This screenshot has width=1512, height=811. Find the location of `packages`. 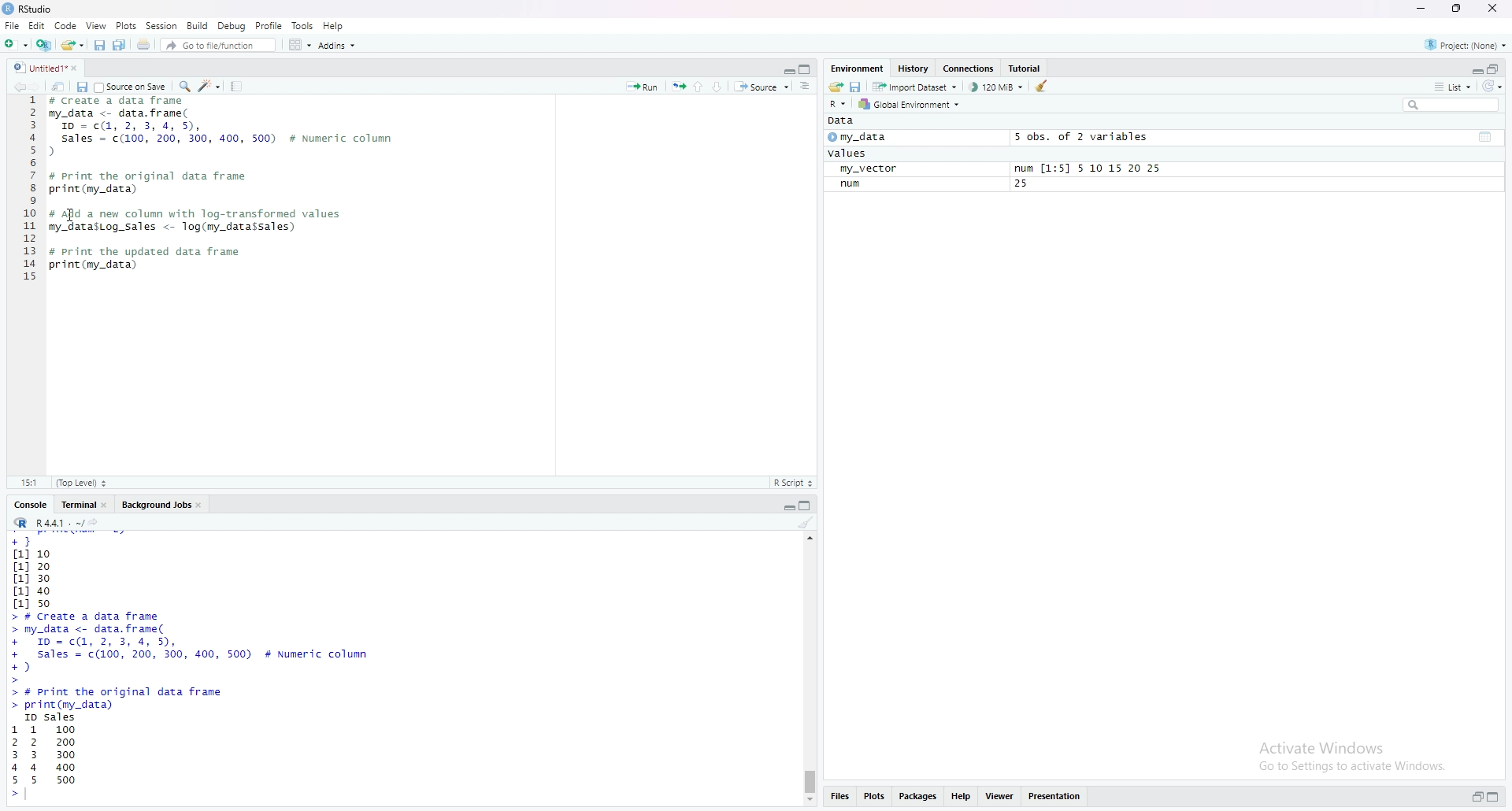

packages is located at coordinates (916, 799).